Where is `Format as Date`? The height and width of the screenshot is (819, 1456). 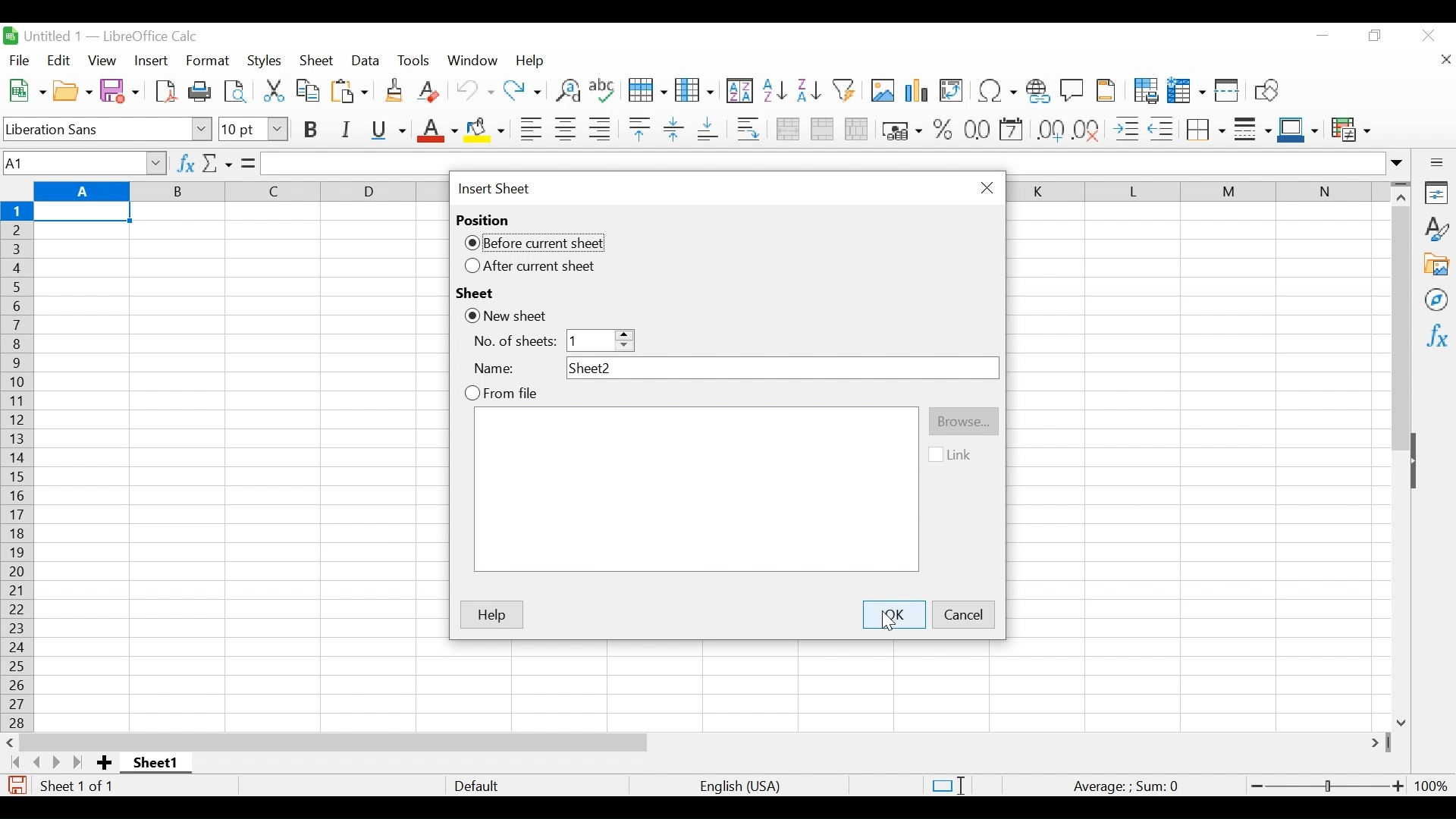
Format as Date is located at coordinates (977, 131).